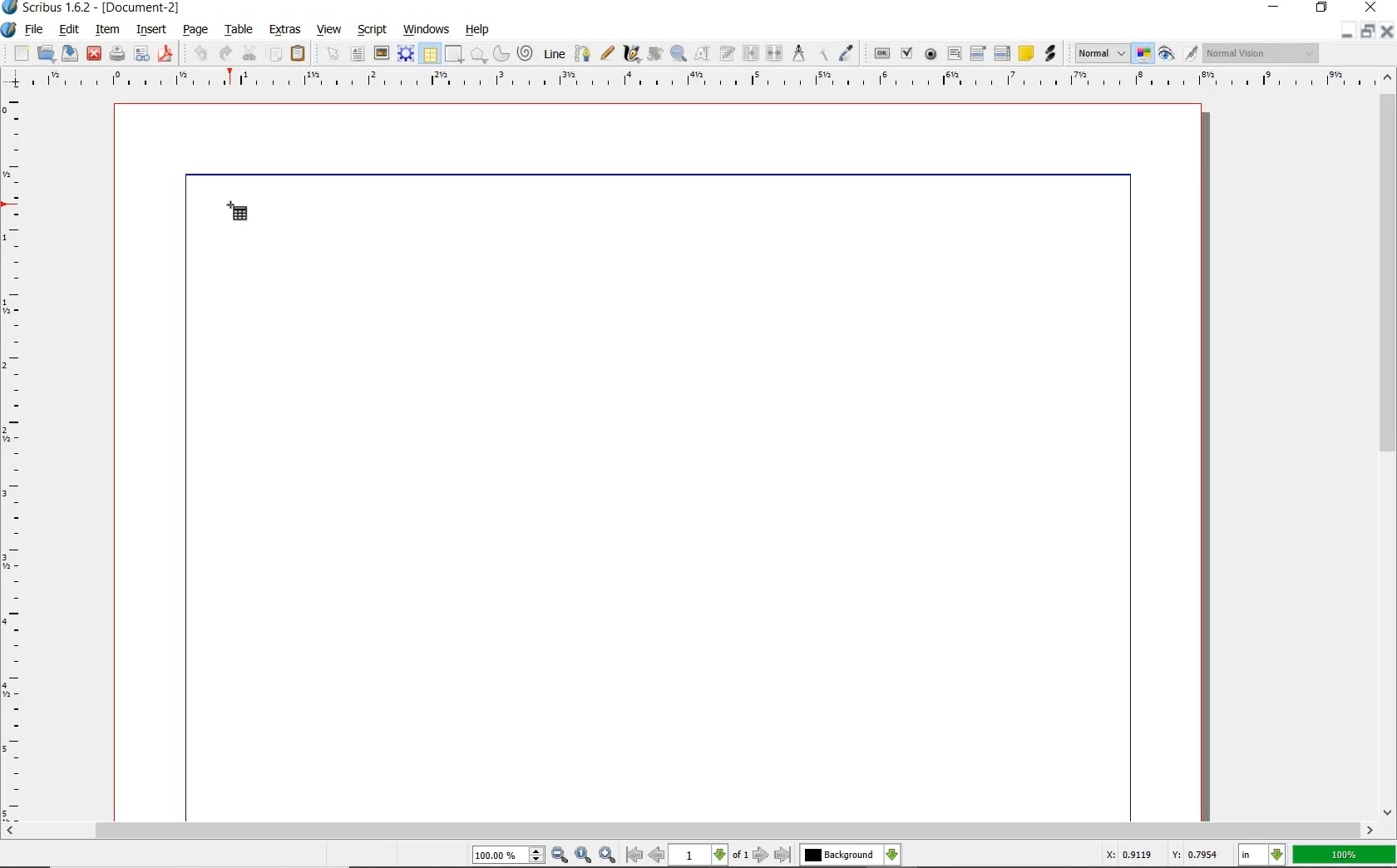 This screenshot has height=868, width=1397. I want to click on spiral, so click(526, 54).